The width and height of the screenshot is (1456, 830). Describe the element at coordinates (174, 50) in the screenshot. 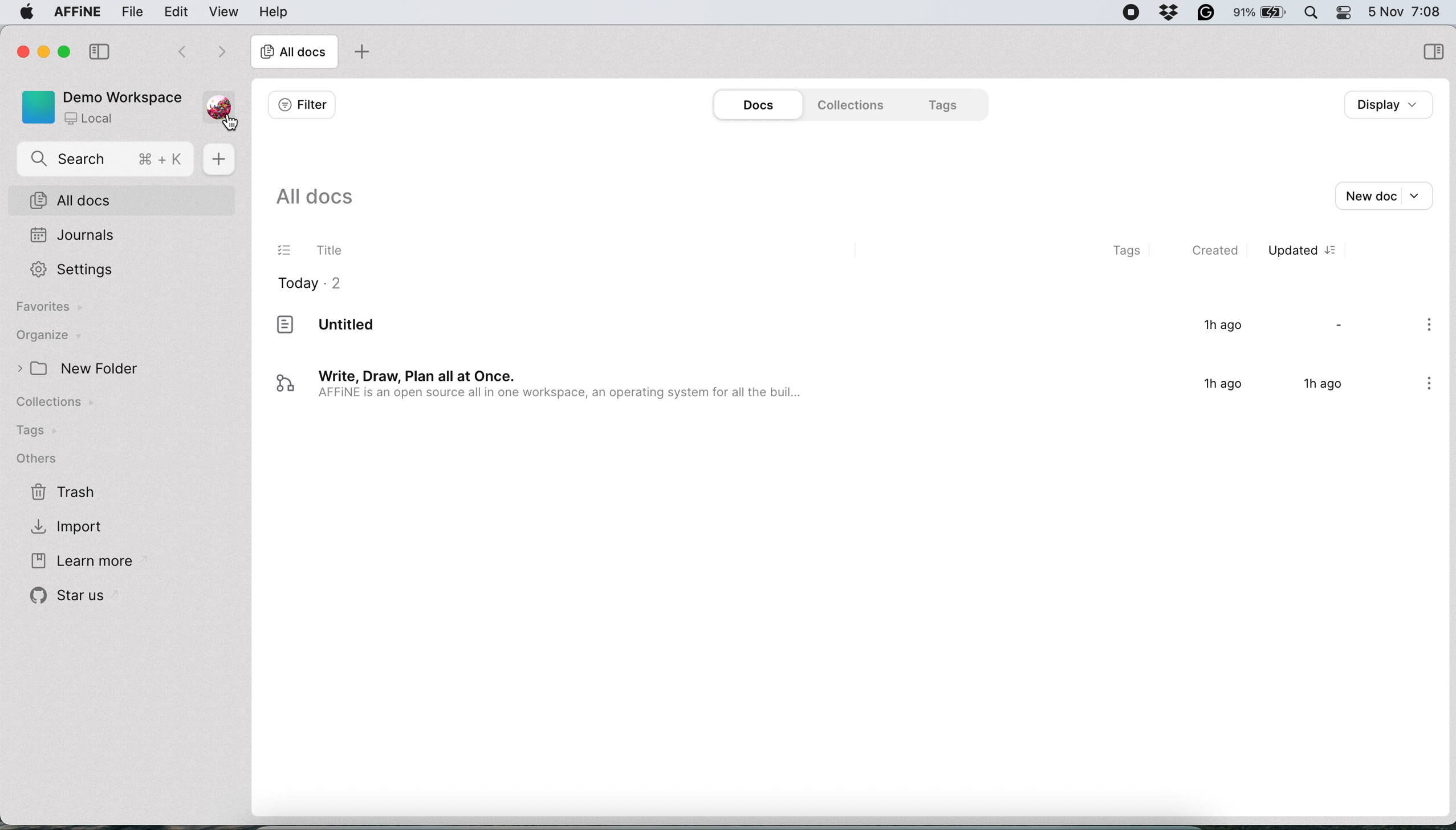

I see `switch tabs` at that location.